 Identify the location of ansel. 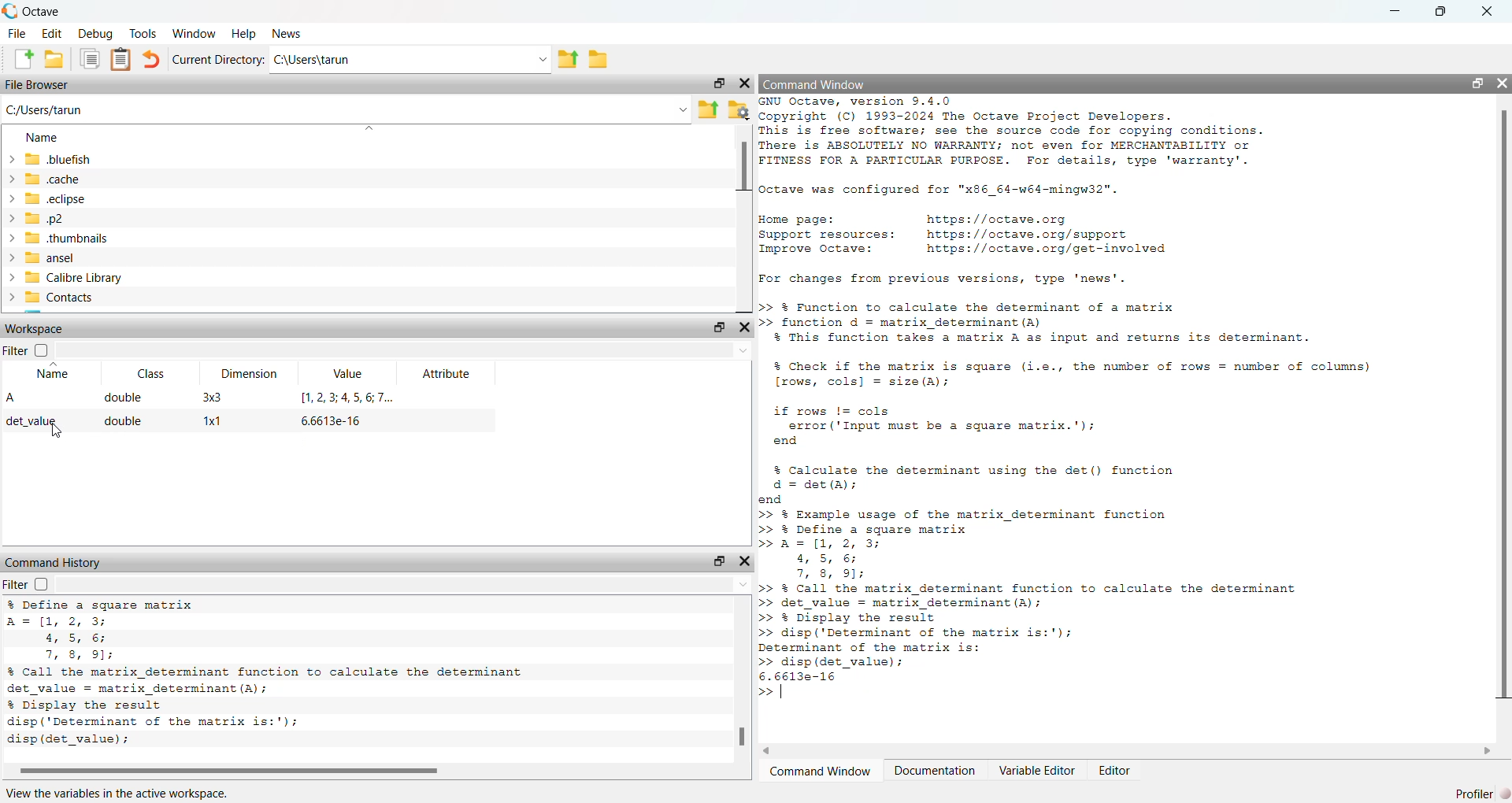
(44, 258).